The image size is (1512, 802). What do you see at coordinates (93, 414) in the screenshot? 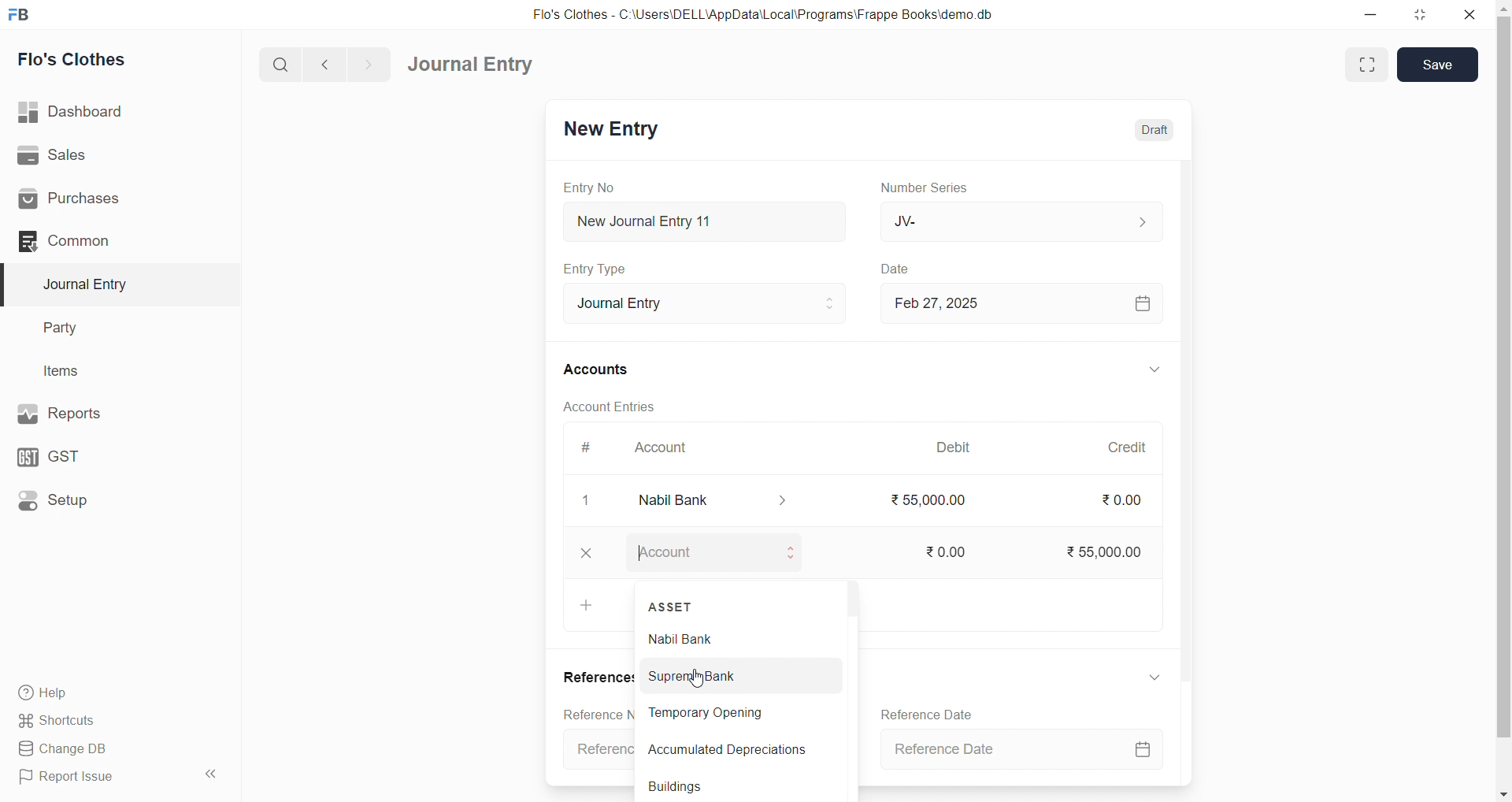
I see `Reports` at bounding box center [93, 414].